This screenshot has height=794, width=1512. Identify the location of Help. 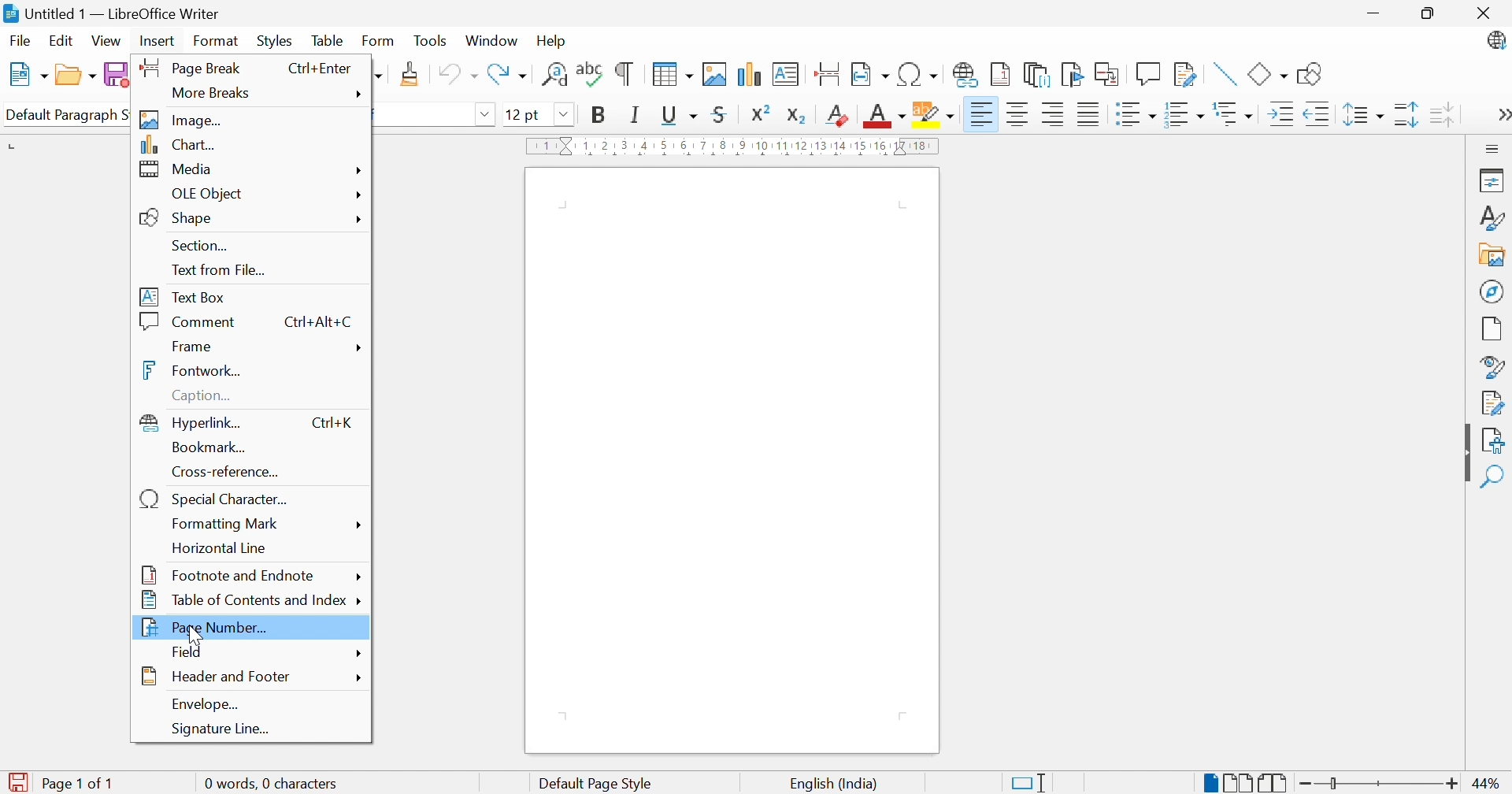
(552, 42).